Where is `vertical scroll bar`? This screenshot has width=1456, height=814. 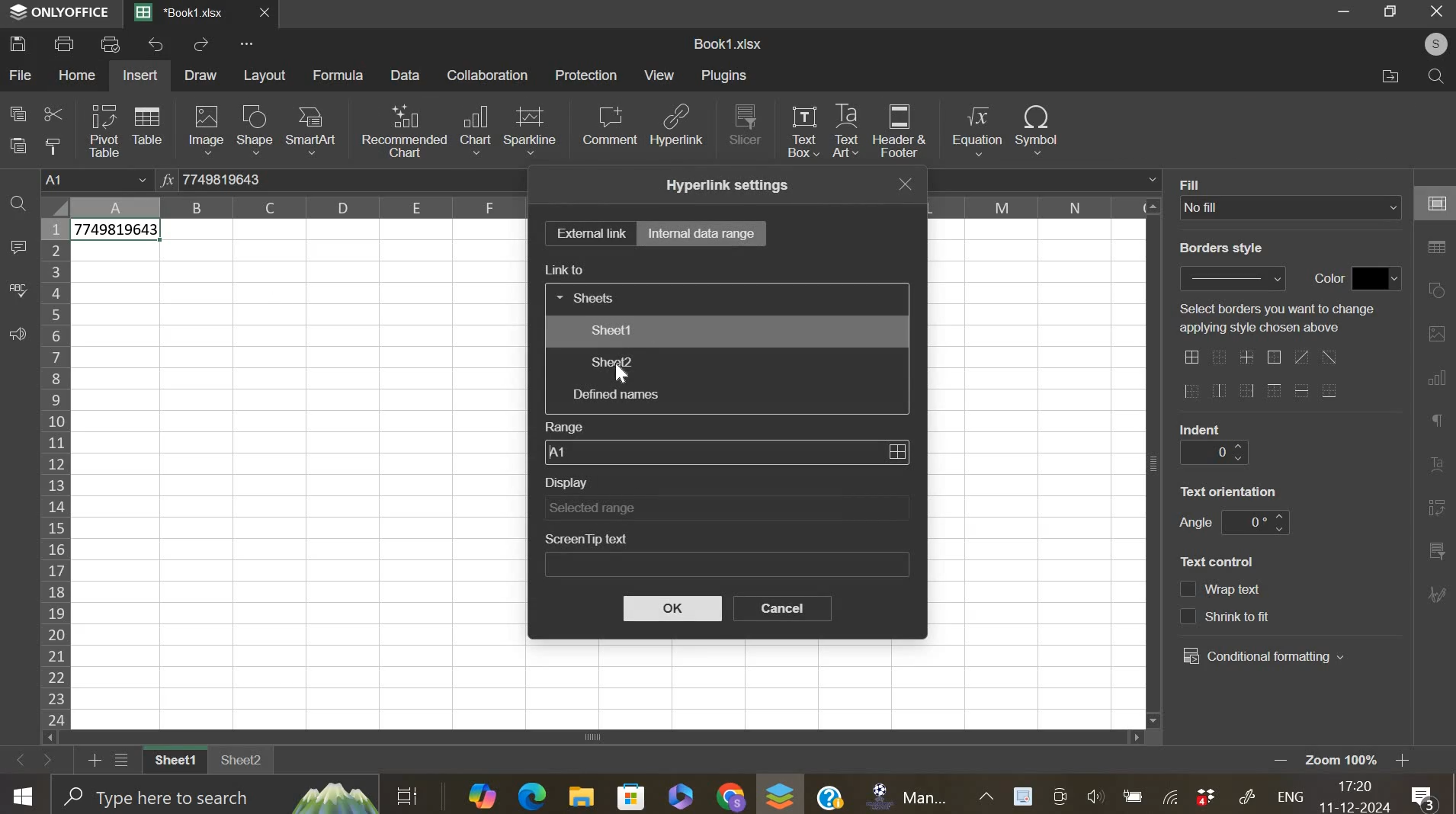
vertical scroll bar is located at coordinates (1155, 463).